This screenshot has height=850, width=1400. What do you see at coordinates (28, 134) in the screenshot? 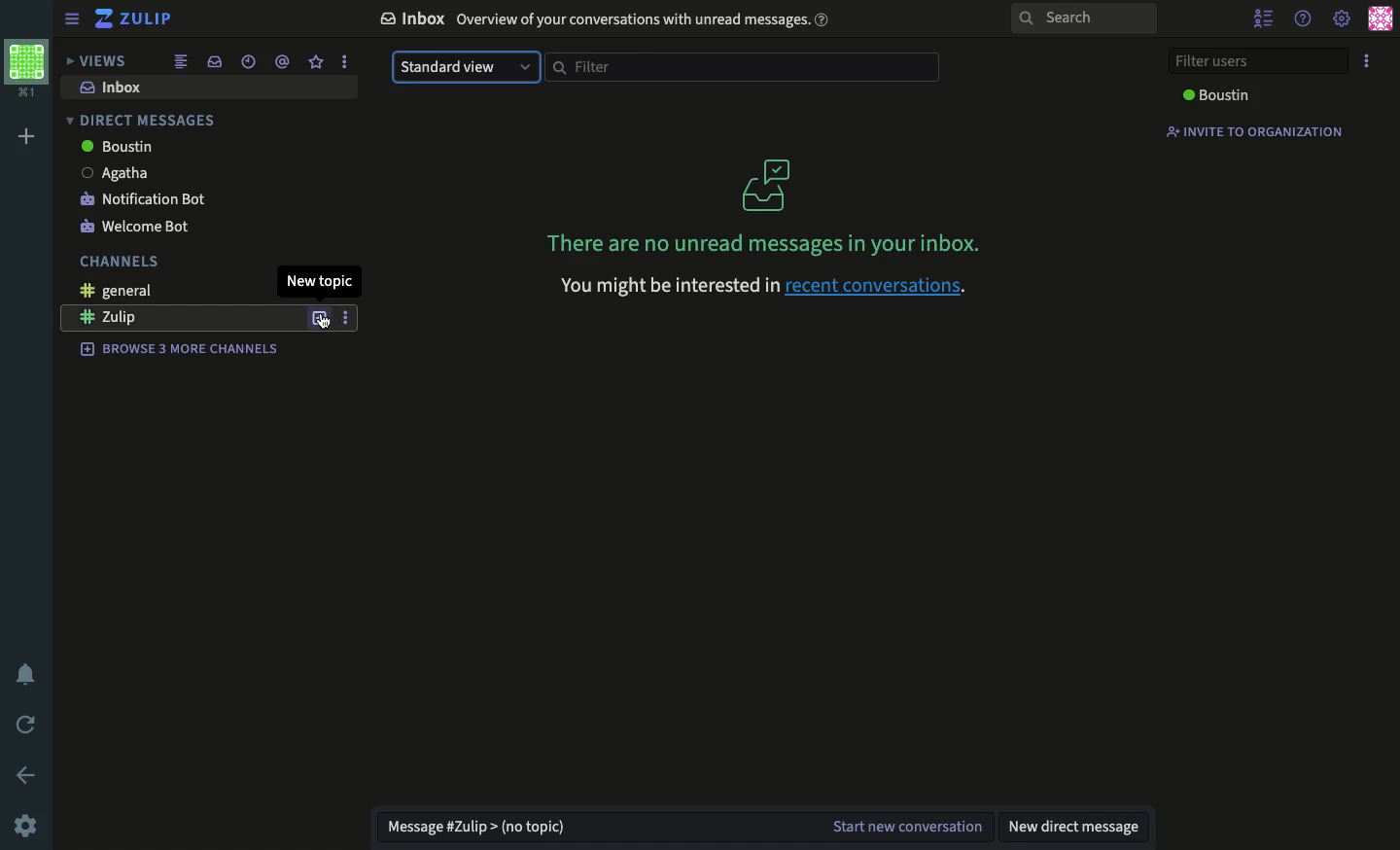
I see `add workspace` at bounding box center [28, 134].